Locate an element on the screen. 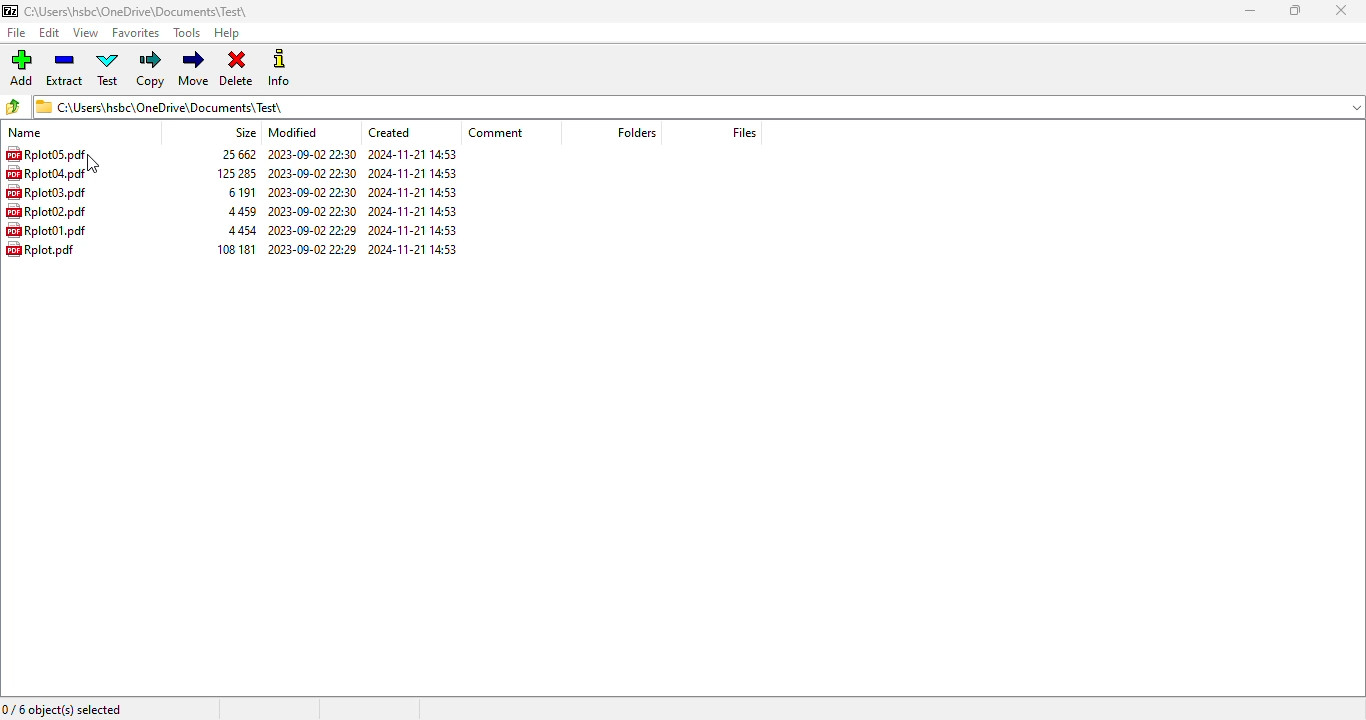 This screenshot has width=1366, height=720. rplot02 is located at coordinates (46, 211).